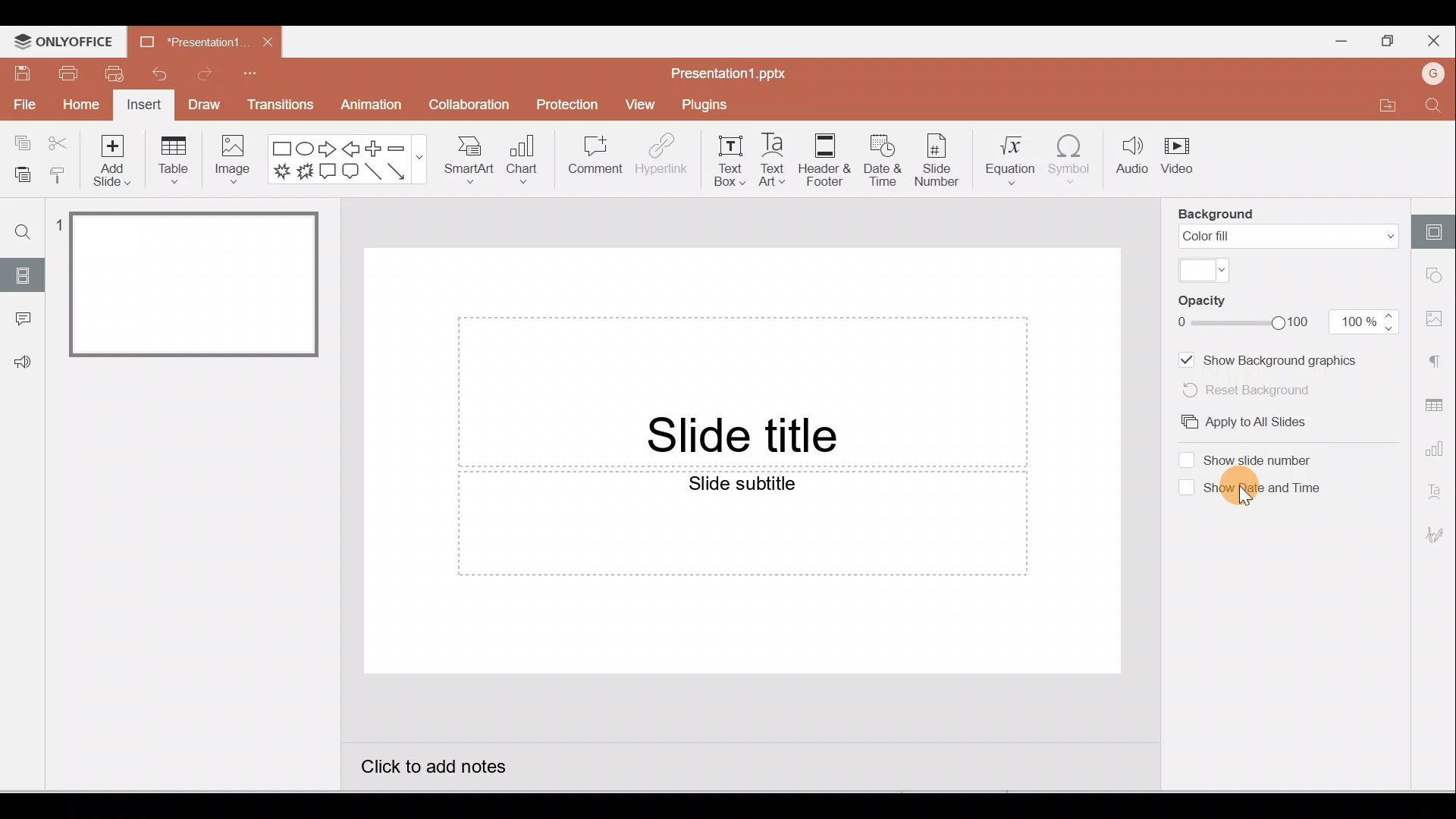 Image resolution: width=1456 pixels, height=819 pixels. I want to click on Minus, so click(396, 147).